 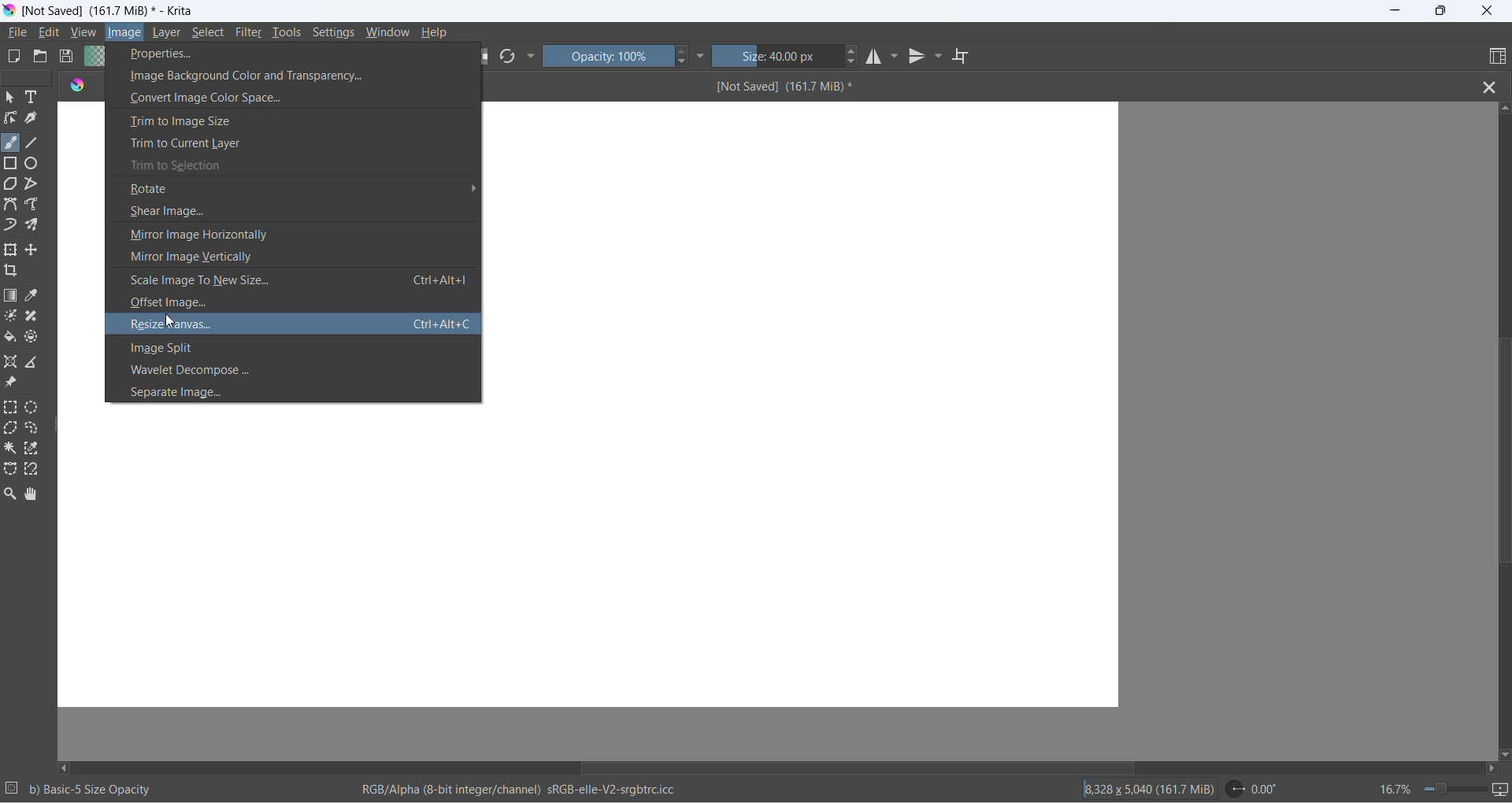 I want to click on convert image color space, so click(x=295, y=97).